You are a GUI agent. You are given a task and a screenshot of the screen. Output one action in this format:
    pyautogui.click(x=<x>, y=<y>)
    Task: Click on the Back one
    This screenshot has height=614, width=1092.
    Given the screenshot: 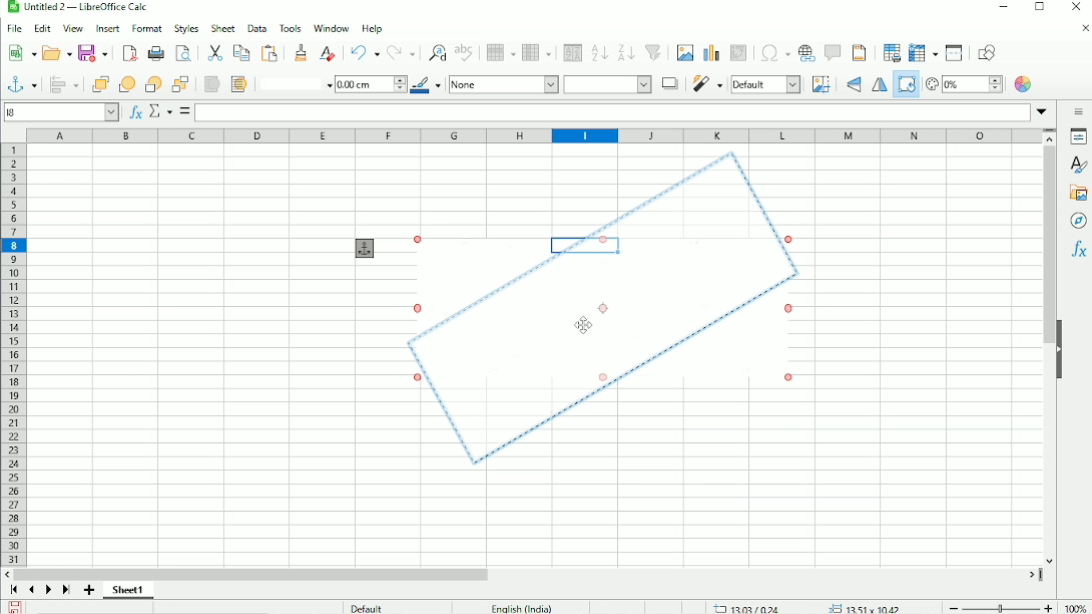 What is the action you would take?
    pyautogui.click(x=152, y=84)
    